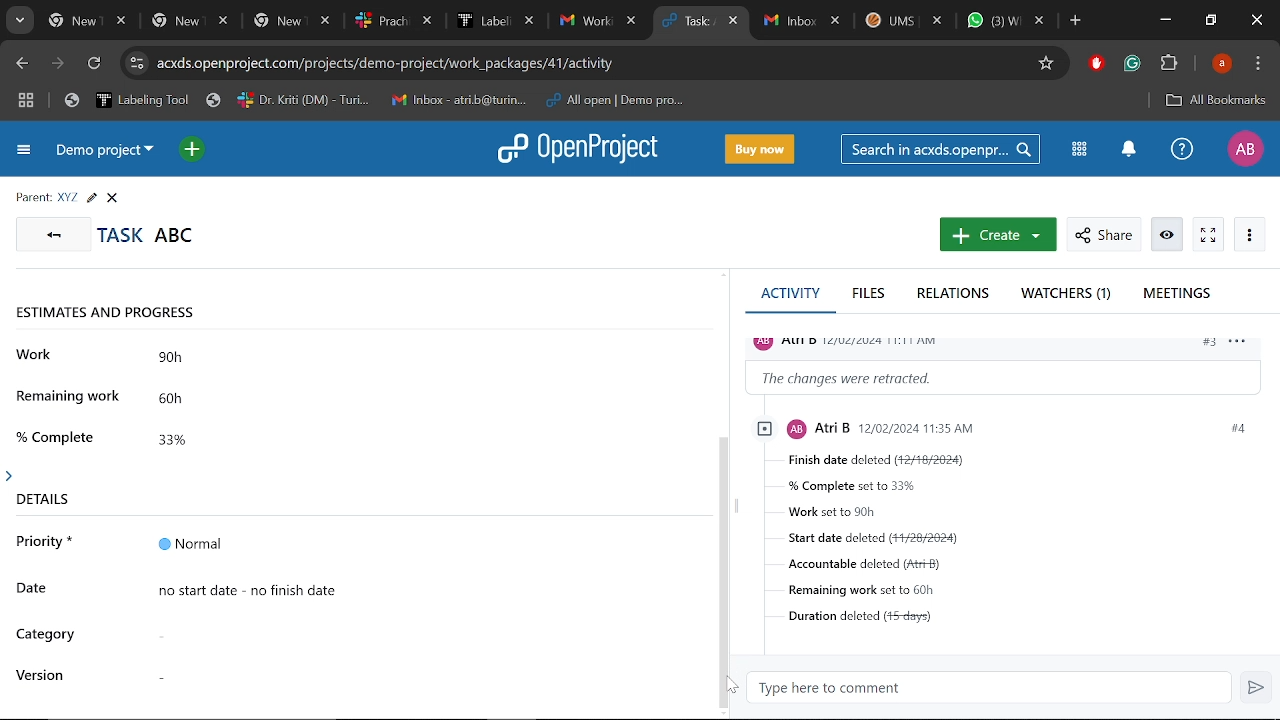 The image size is (1280, 720). I want to click on Meetings, so click(1179, 296).